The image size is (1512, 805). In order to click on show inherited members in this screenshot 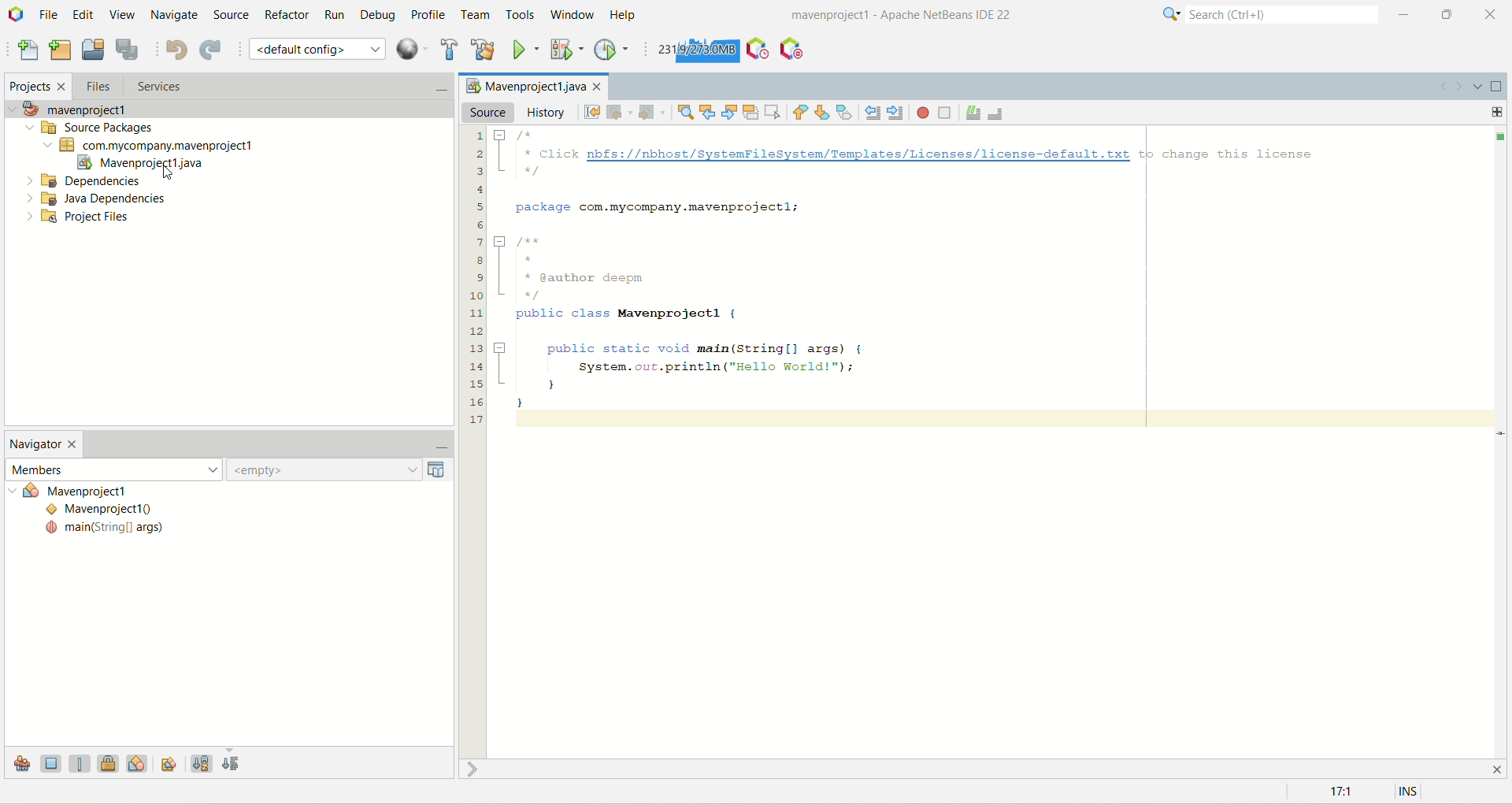, I will do `click(20, 764)`.